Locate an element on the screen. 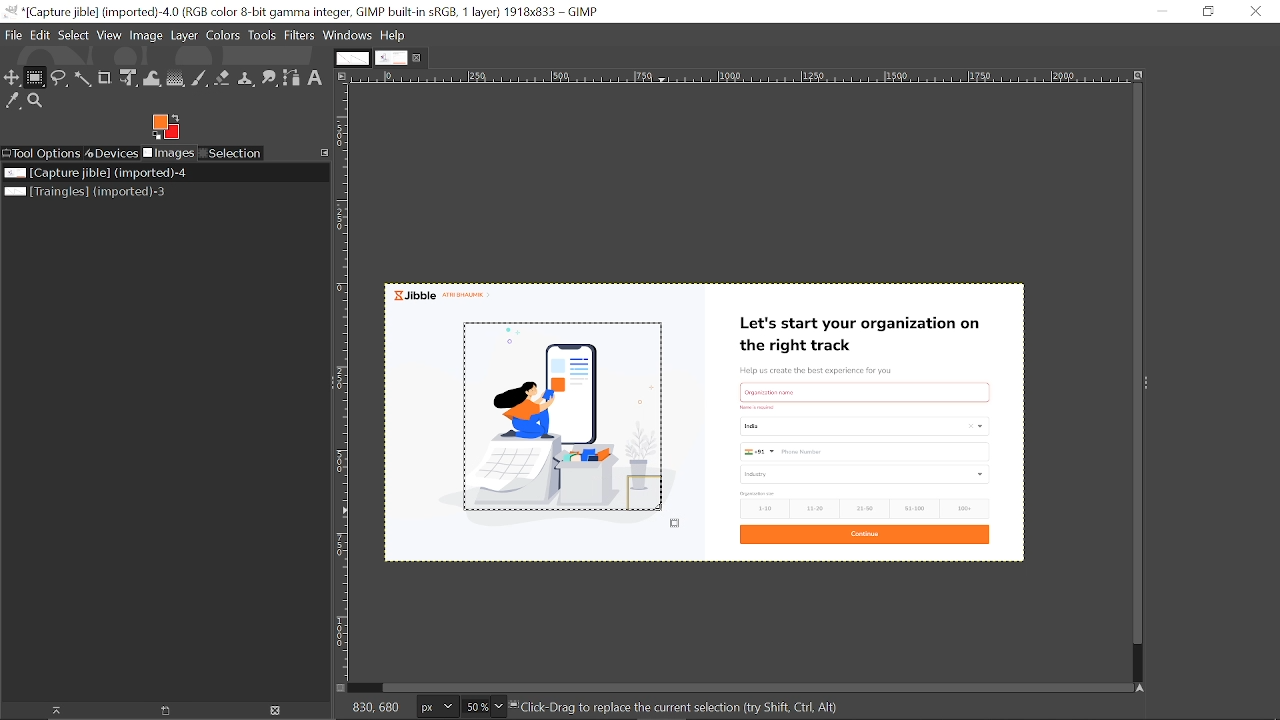 Image resolution: width=1280 pixels, height=720 pixels. Unit  is located at coordinates (438, 706).